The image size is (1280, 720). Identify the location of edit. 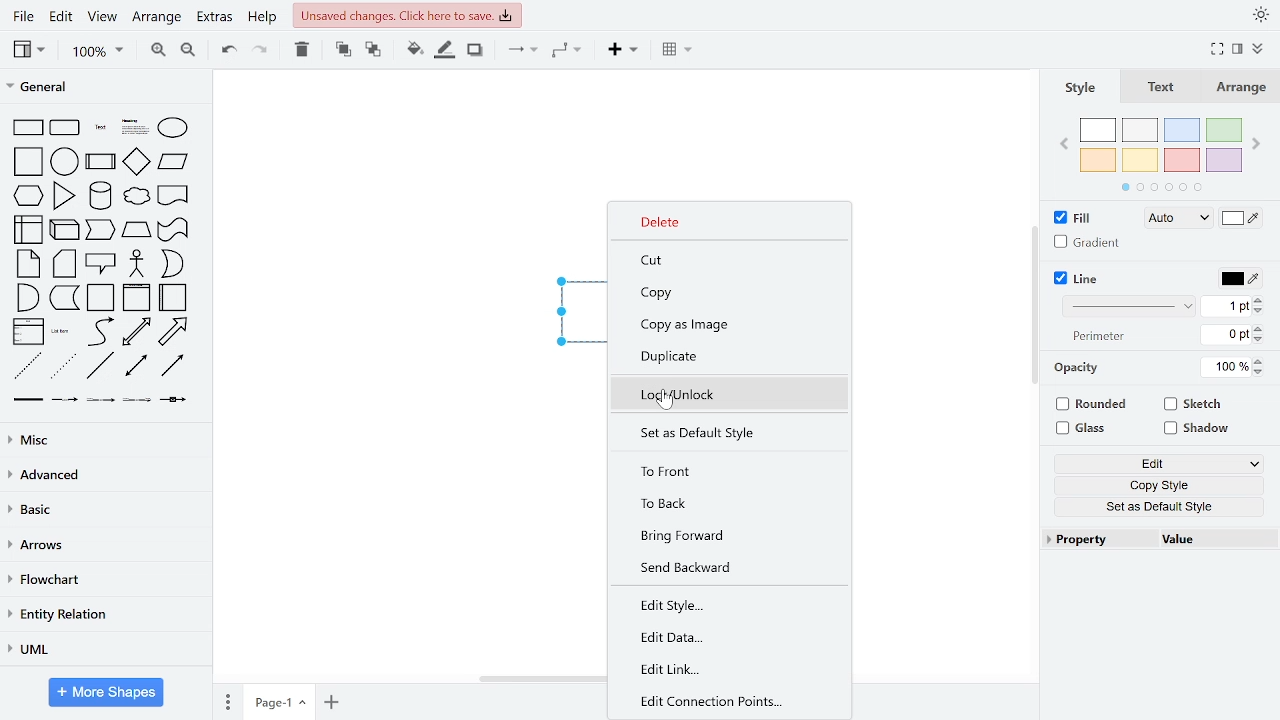
(61, 17).